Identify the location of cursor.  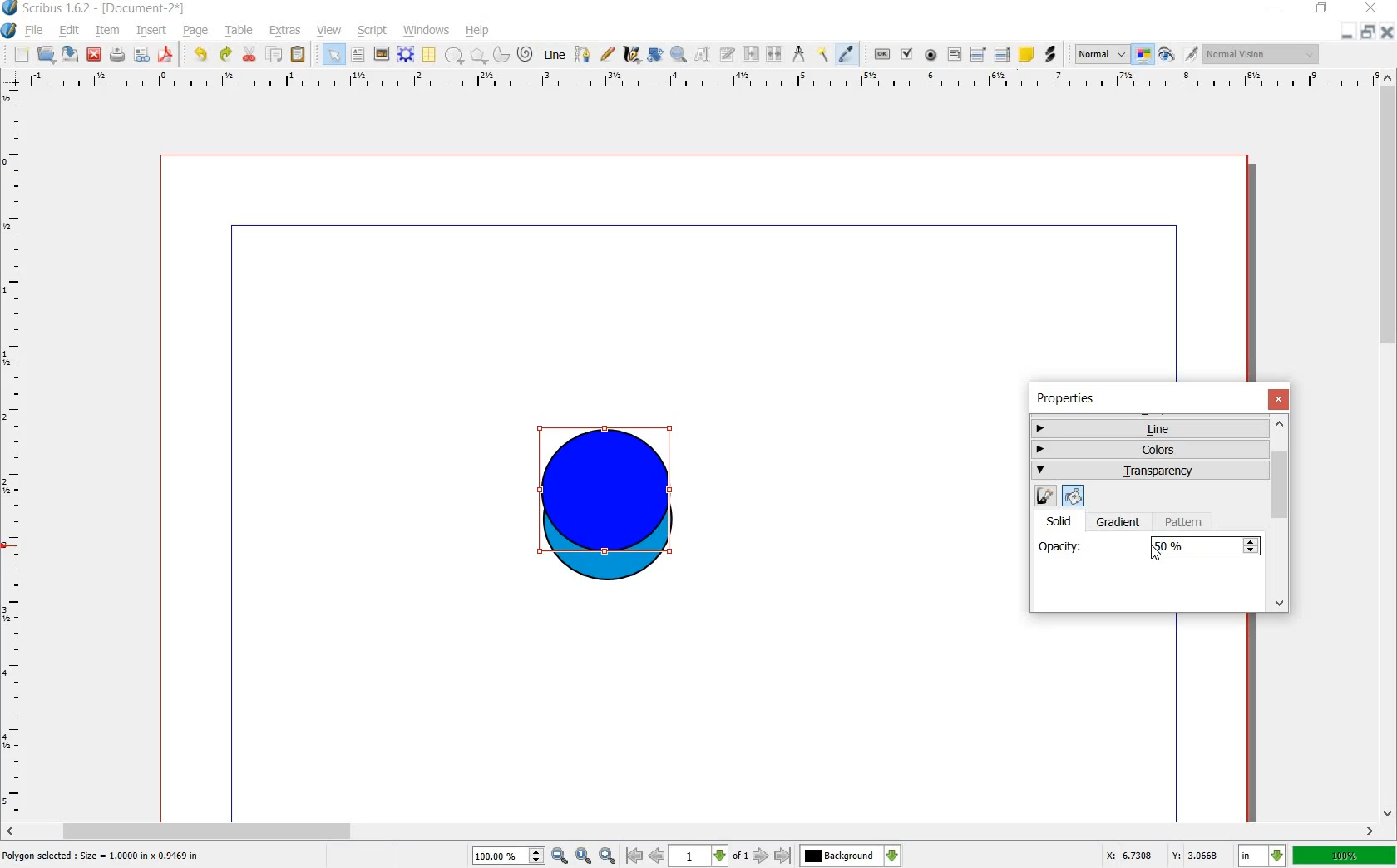
(1158, 556).